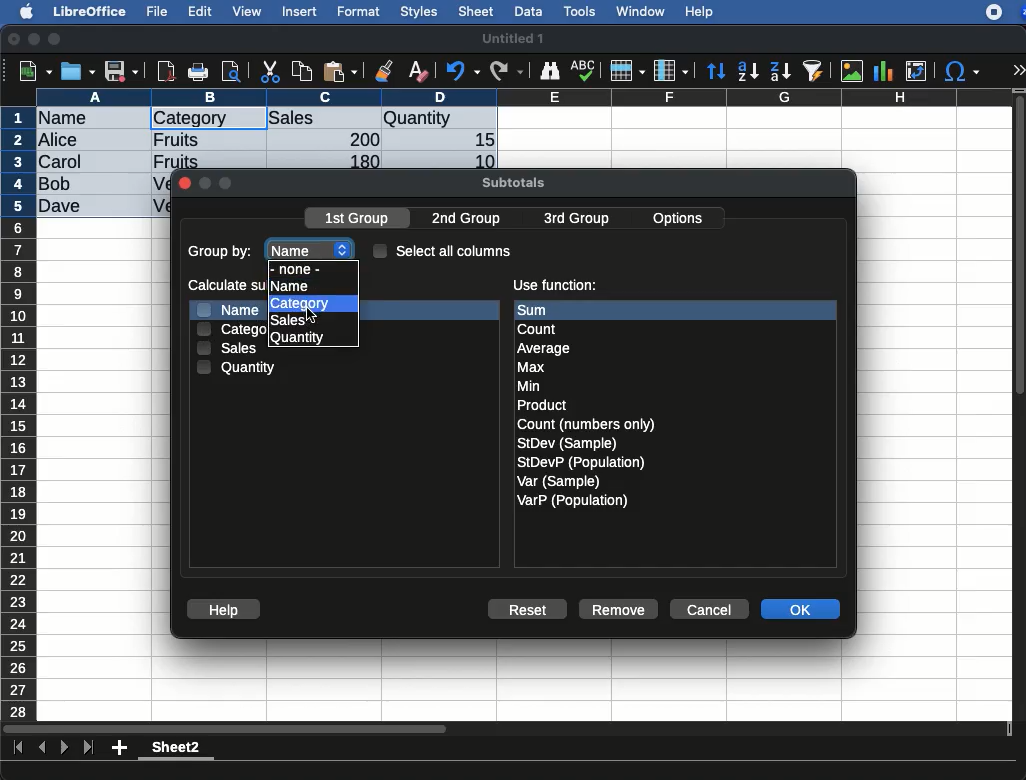 The width and height of the screenshot is (1026, 780). What do you see at coordinates (247, 11) in the screenshot?
I see `view` at bounding box center [247, 11].